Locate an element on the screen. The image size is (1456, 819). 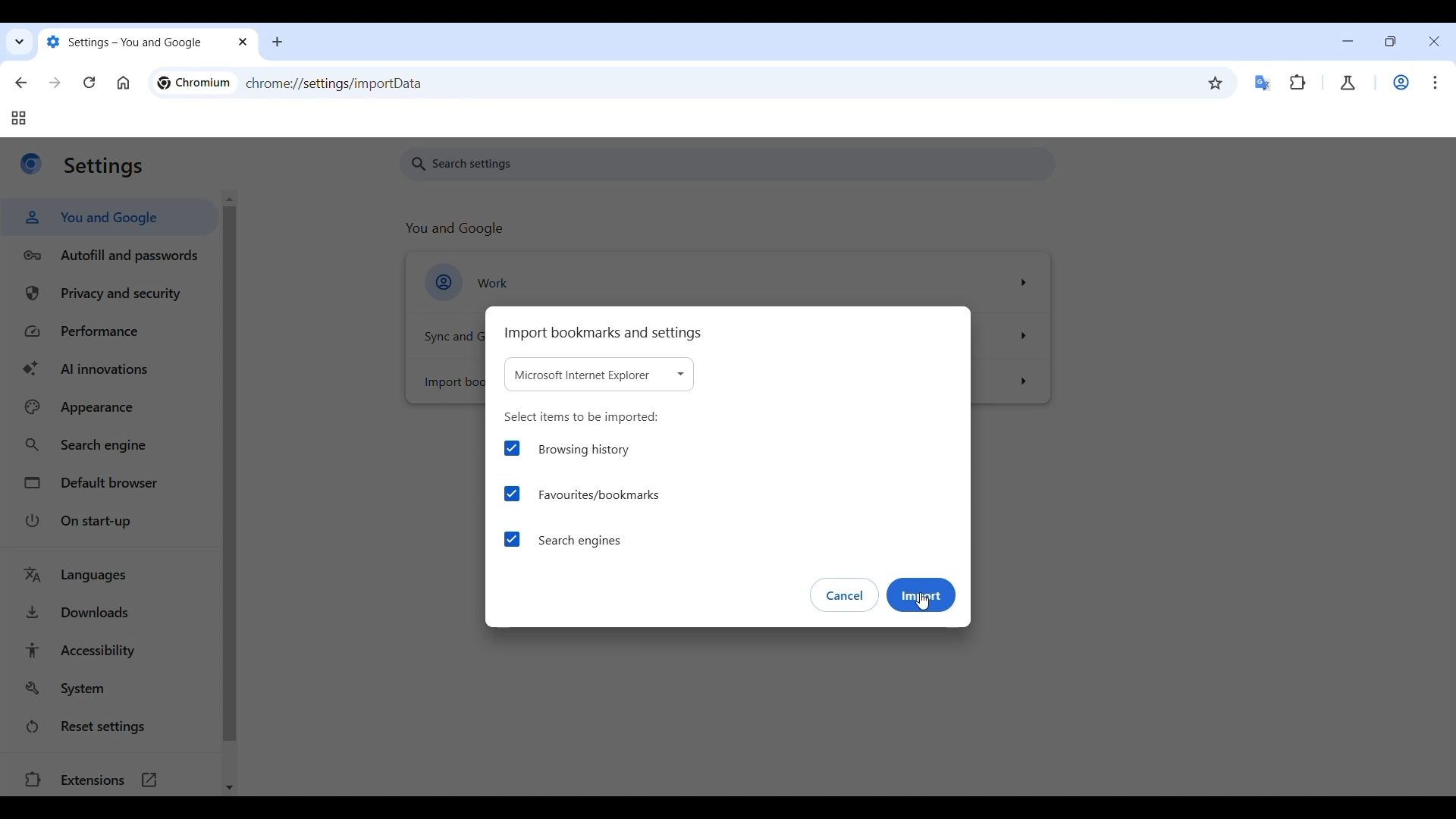
Quick slide to top is located at coordinates (229, 199).